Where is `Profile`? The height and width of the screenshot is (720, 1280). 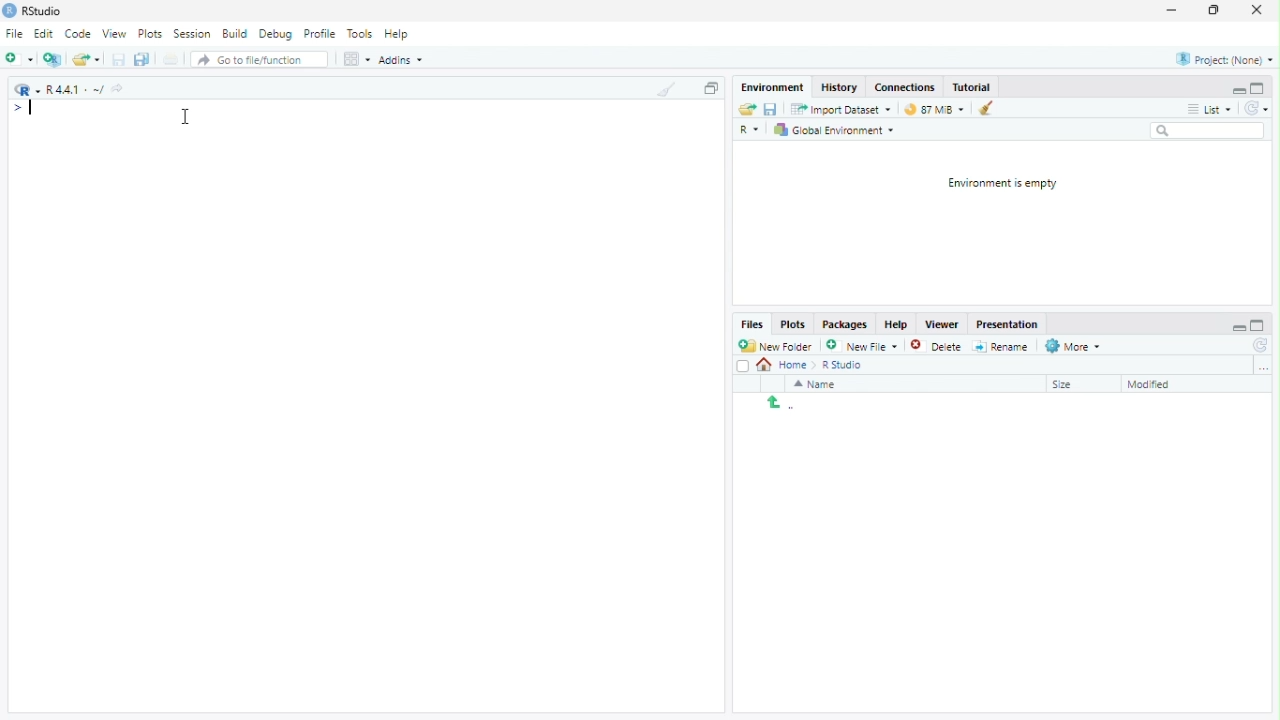 Profile is located at coordinates (319, 33).